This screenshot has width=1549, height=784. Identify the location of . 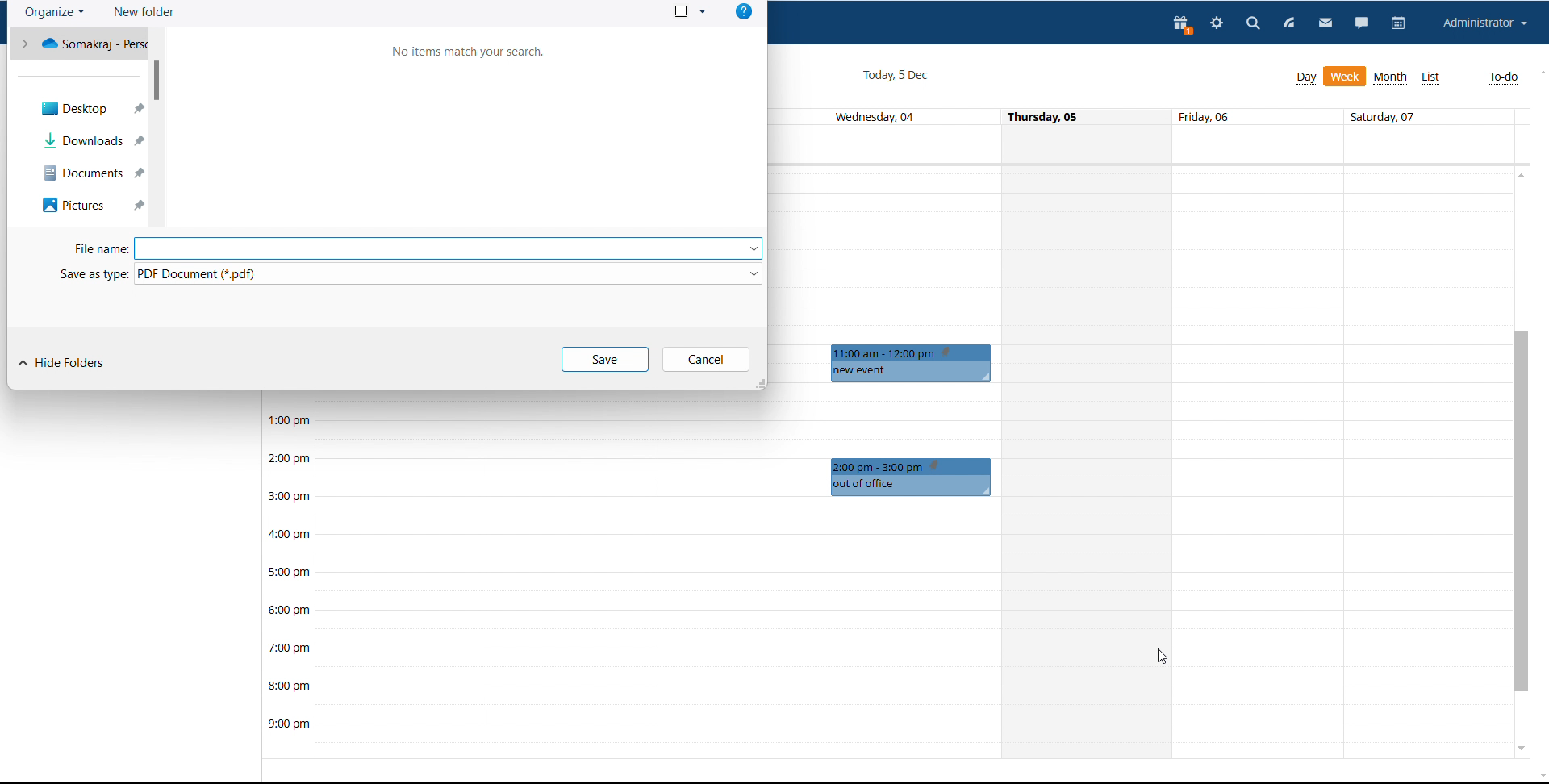
(92, 175).